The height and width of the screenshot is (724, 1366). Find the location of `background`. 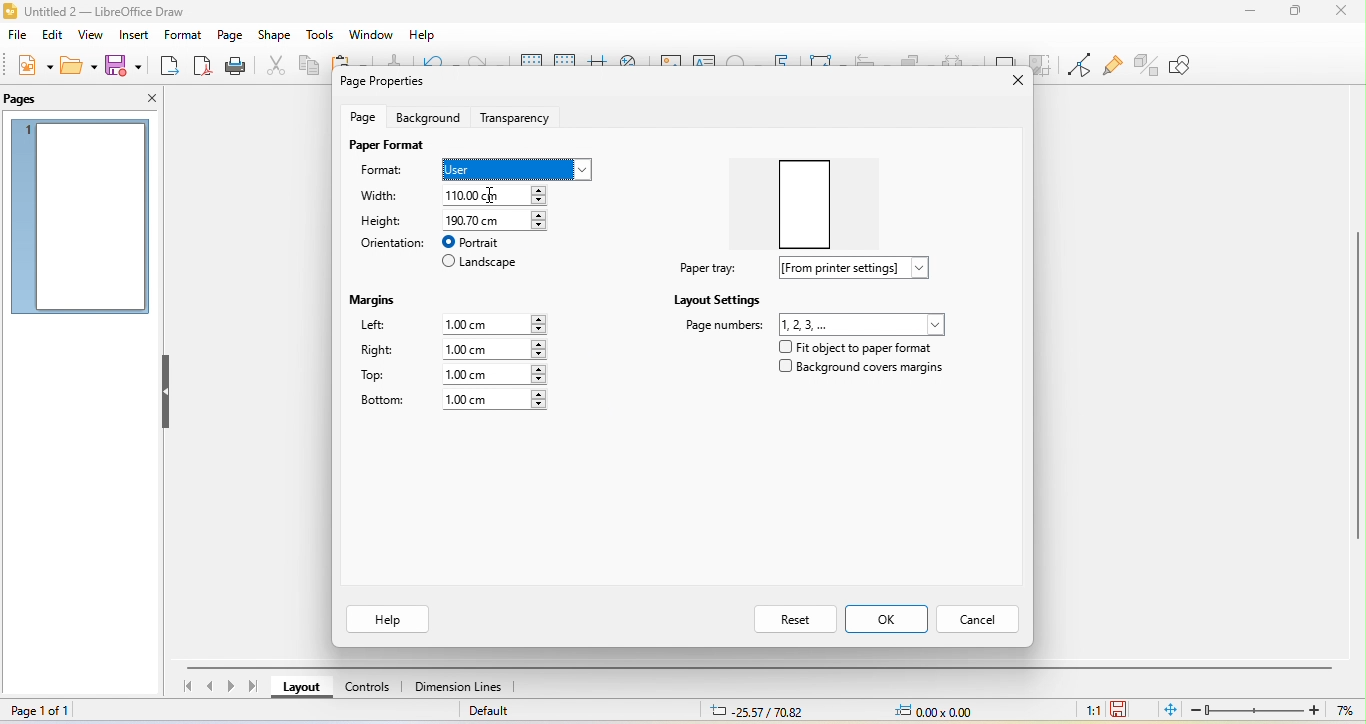

background is located at coordinates (427, 117).